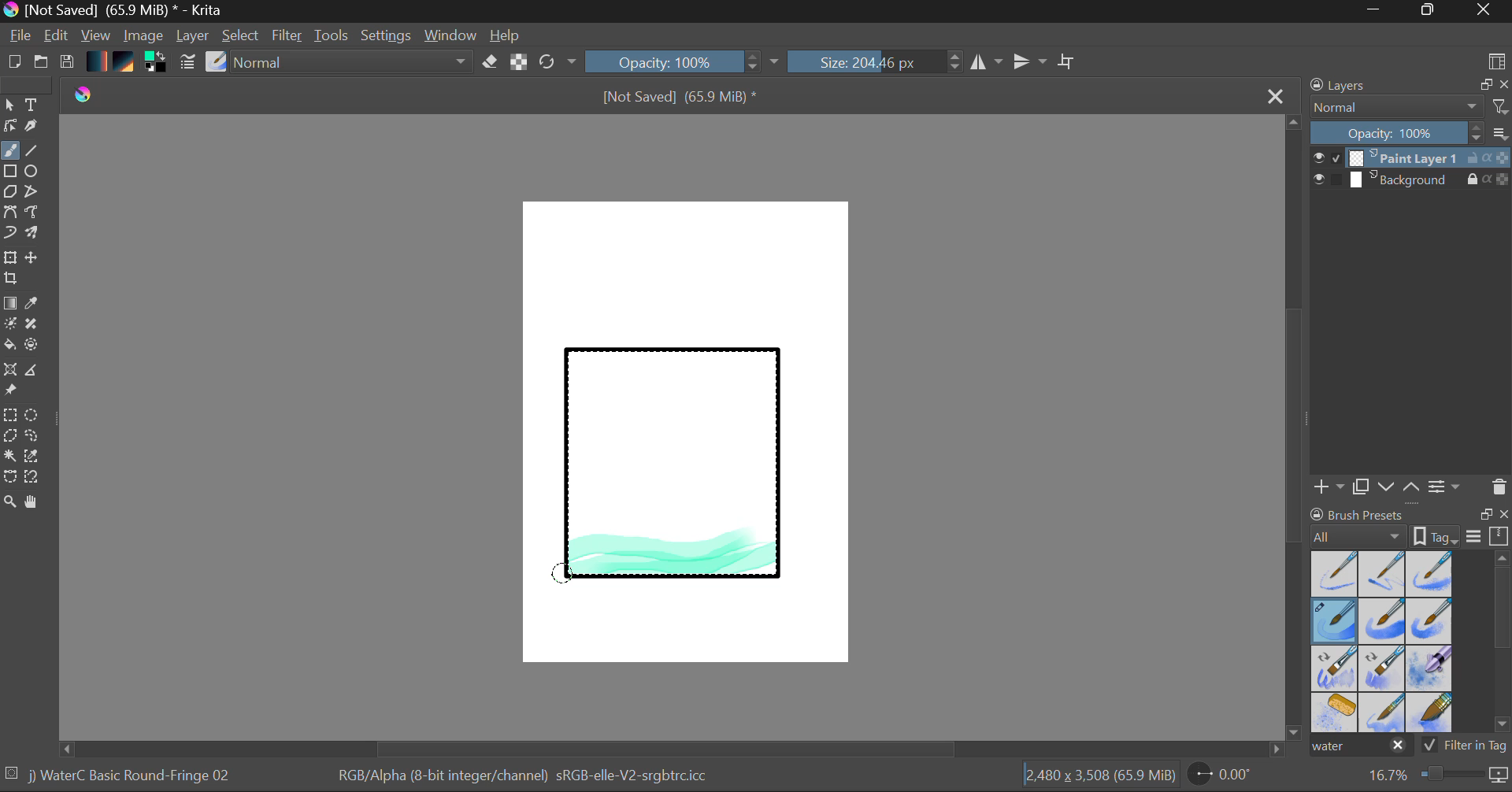 Image resolution: width=1512 pixels, height=792 pixels. What do you see at coordinates (1329, 487) in the screenshot?
I see `Add Layer` at bounding box center [1329, 487].